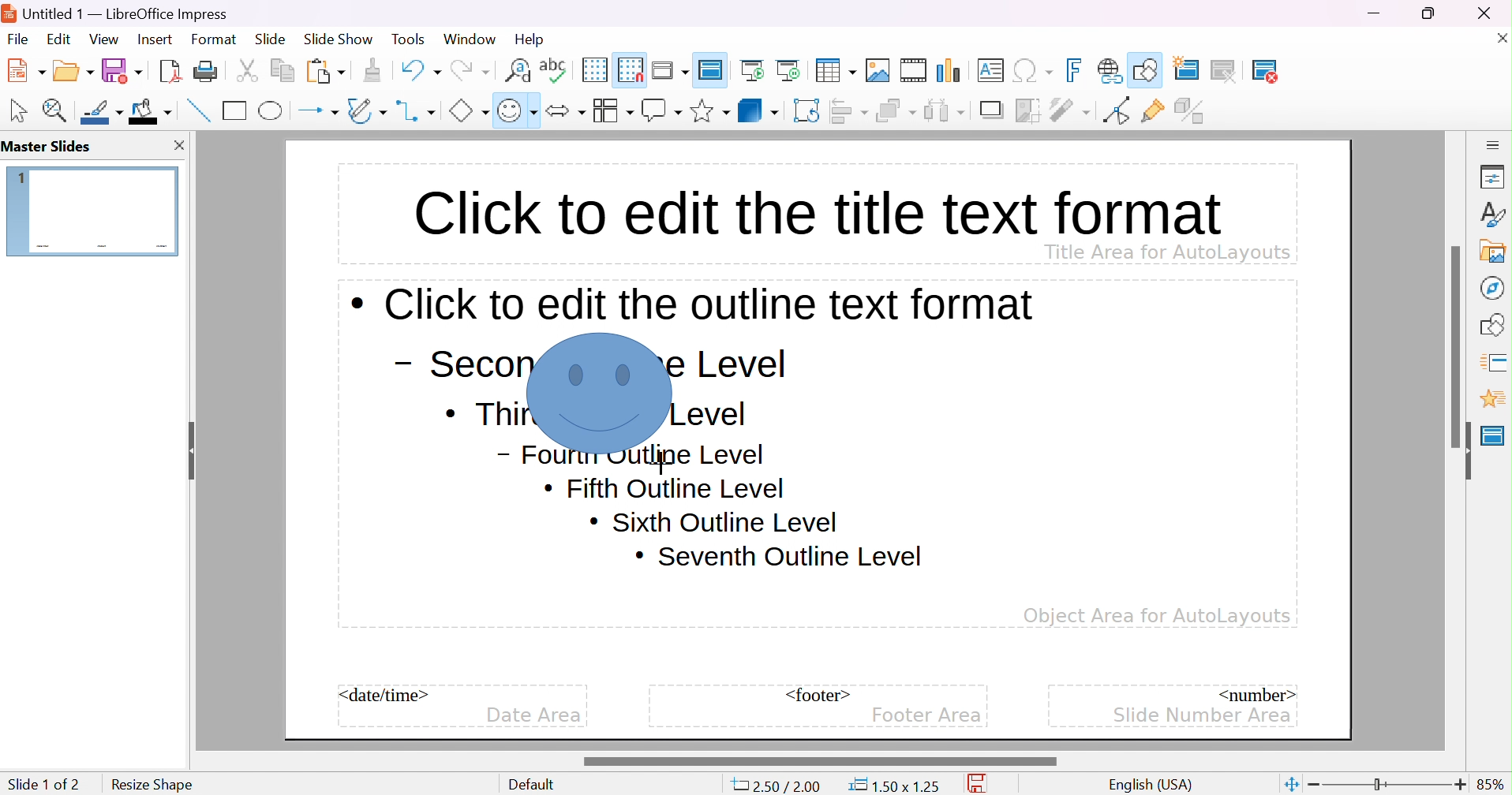 The height and width of the screenshot is (795, 1512). I want to click on fit slide to current window, so click(1290, 783).